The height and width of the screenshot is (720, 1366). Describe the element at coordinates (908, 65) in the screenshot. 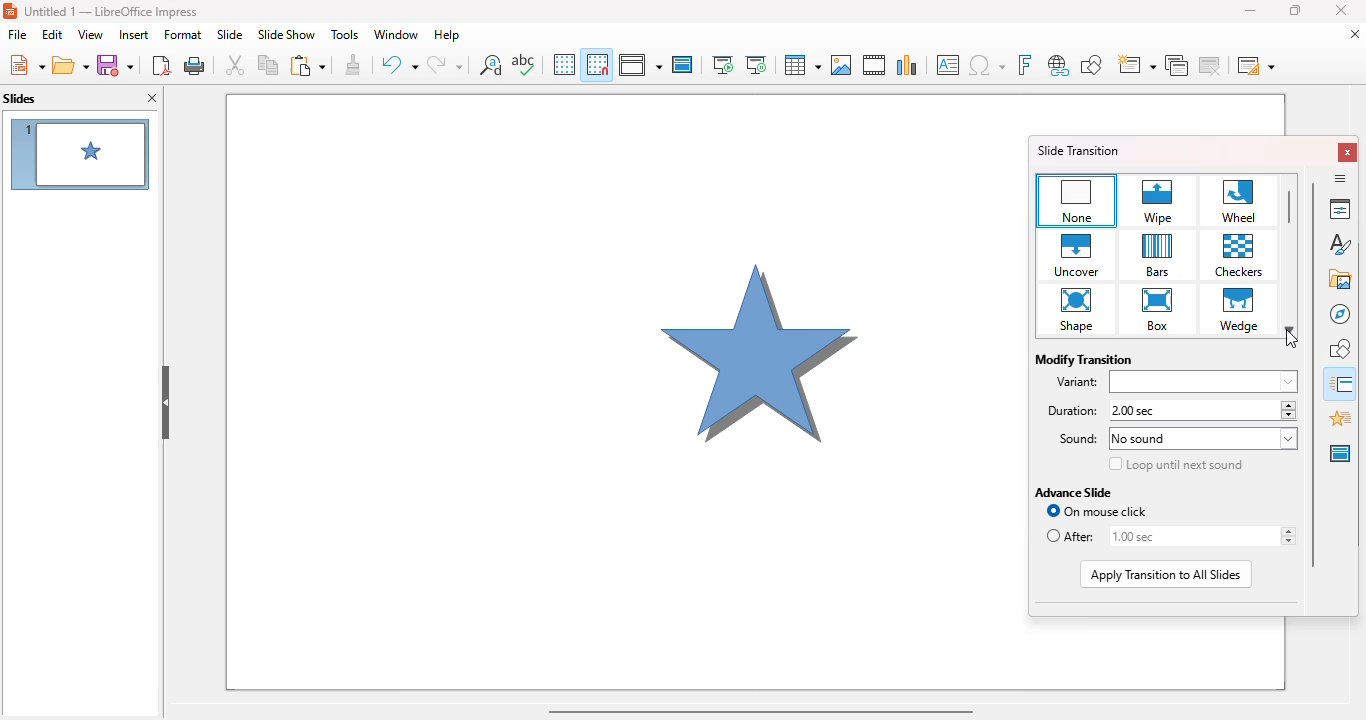

I see `insert chart` at that location.